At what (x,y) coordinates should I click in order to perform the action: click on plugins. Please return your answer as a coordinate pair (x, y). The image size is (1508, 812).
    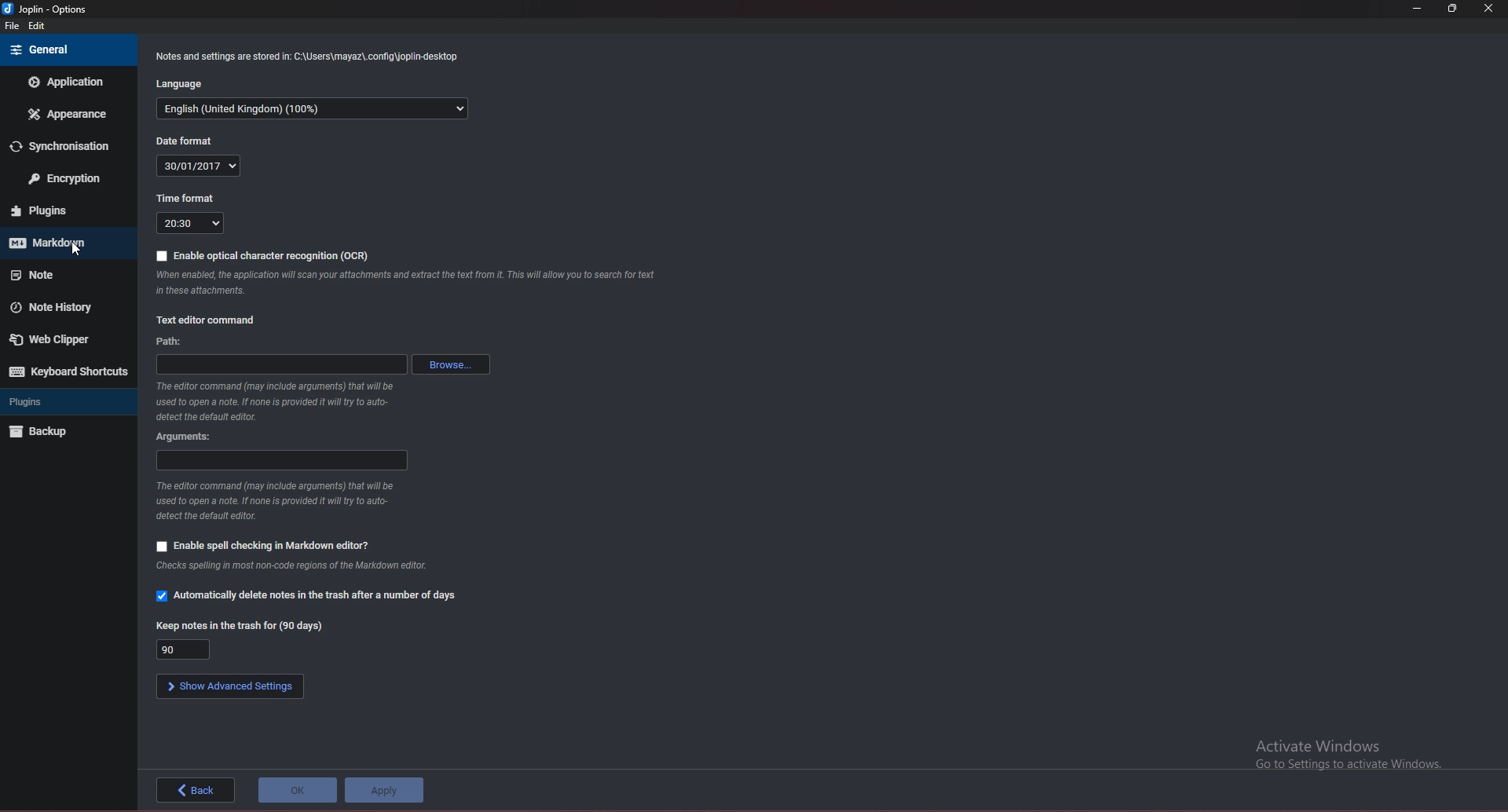
    Looking at the image, I should click on (67, 212).